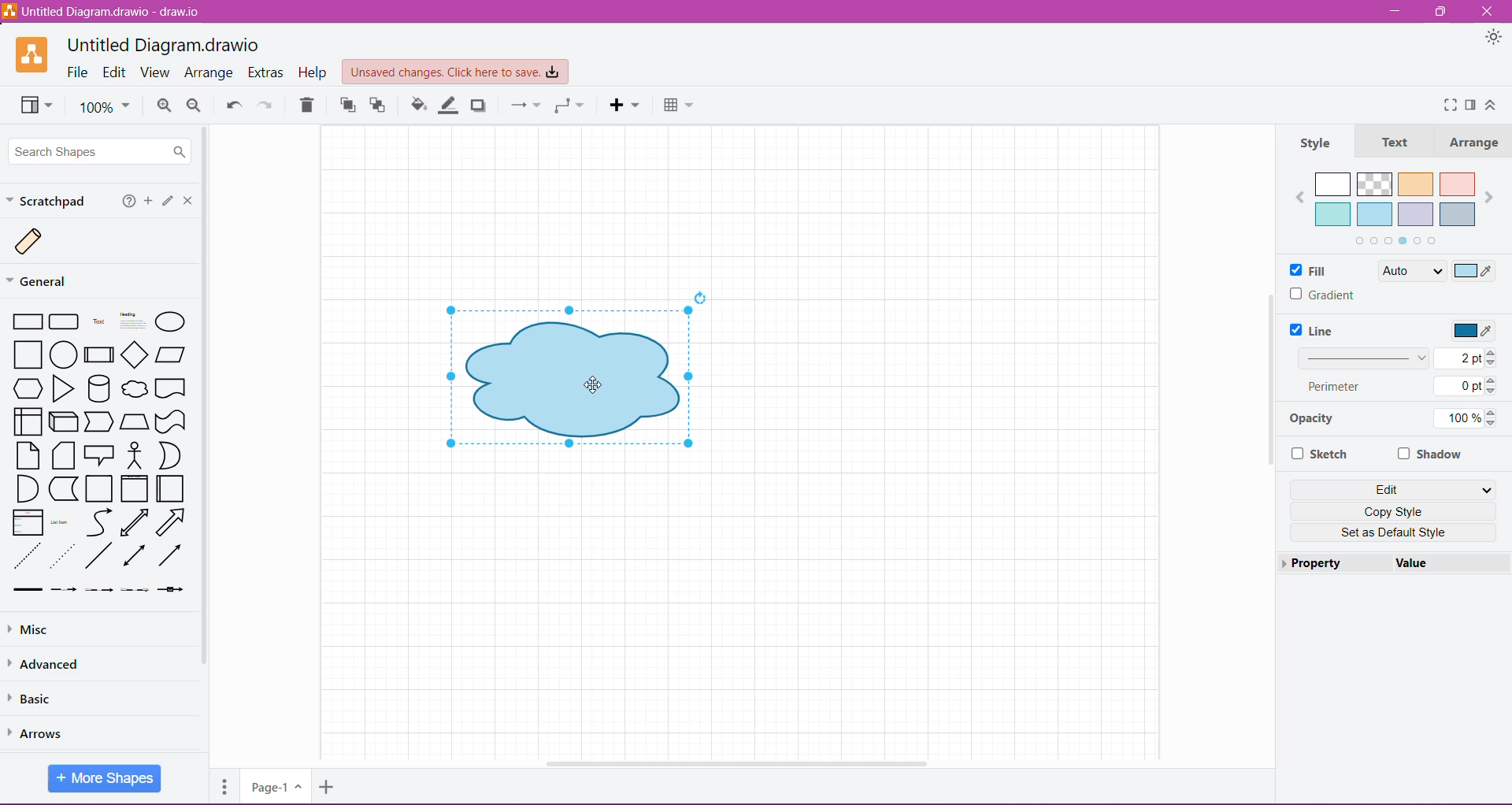 The height and width of the screenshot is (805, 1512). I want to click on Line, so click(1314, 331).